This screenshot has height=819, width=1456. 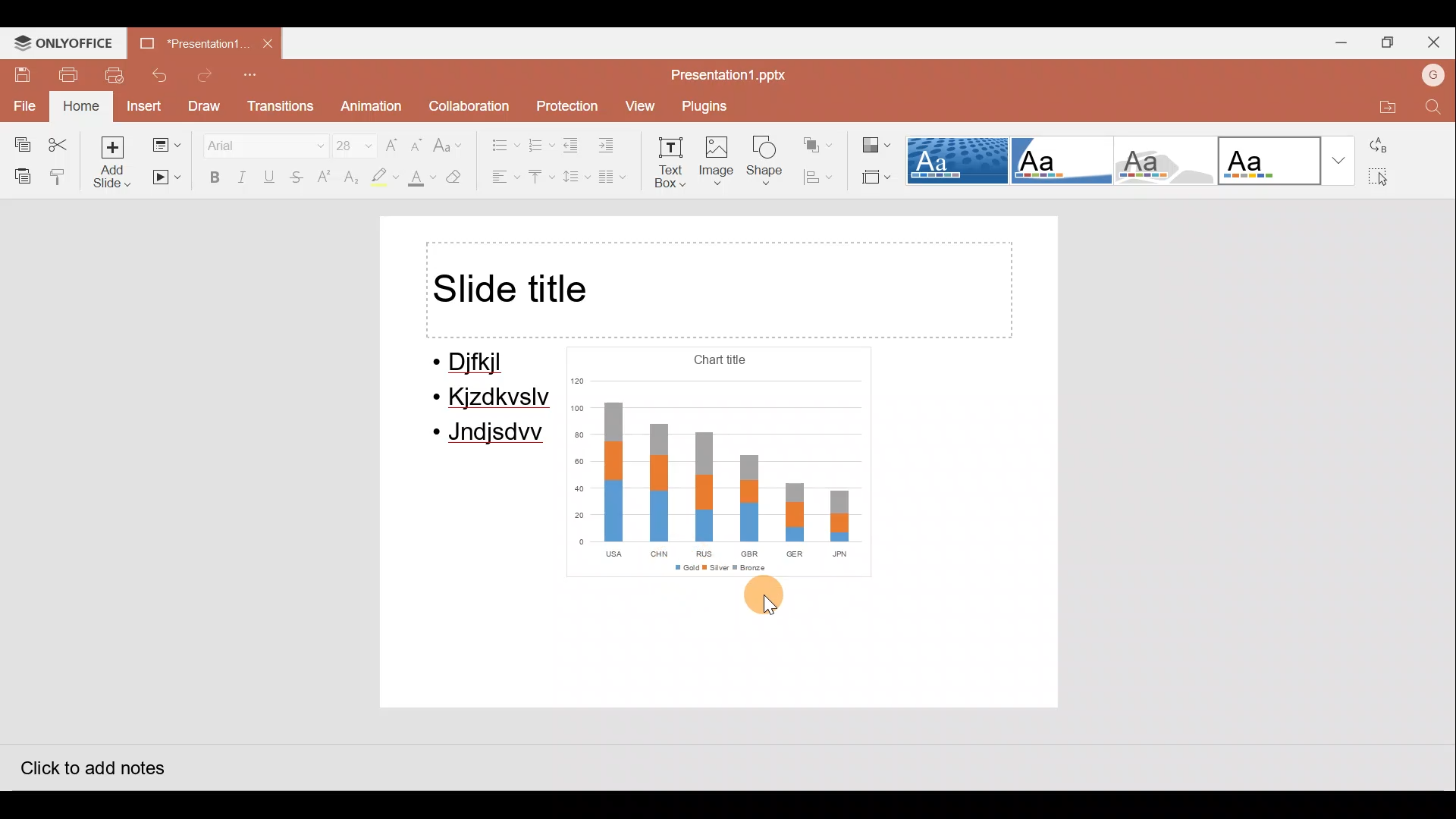 What do you see at coordinates (723, 464) in the screenshot?
I see `Resized Presentation slide` at bounding box center [723, 464].